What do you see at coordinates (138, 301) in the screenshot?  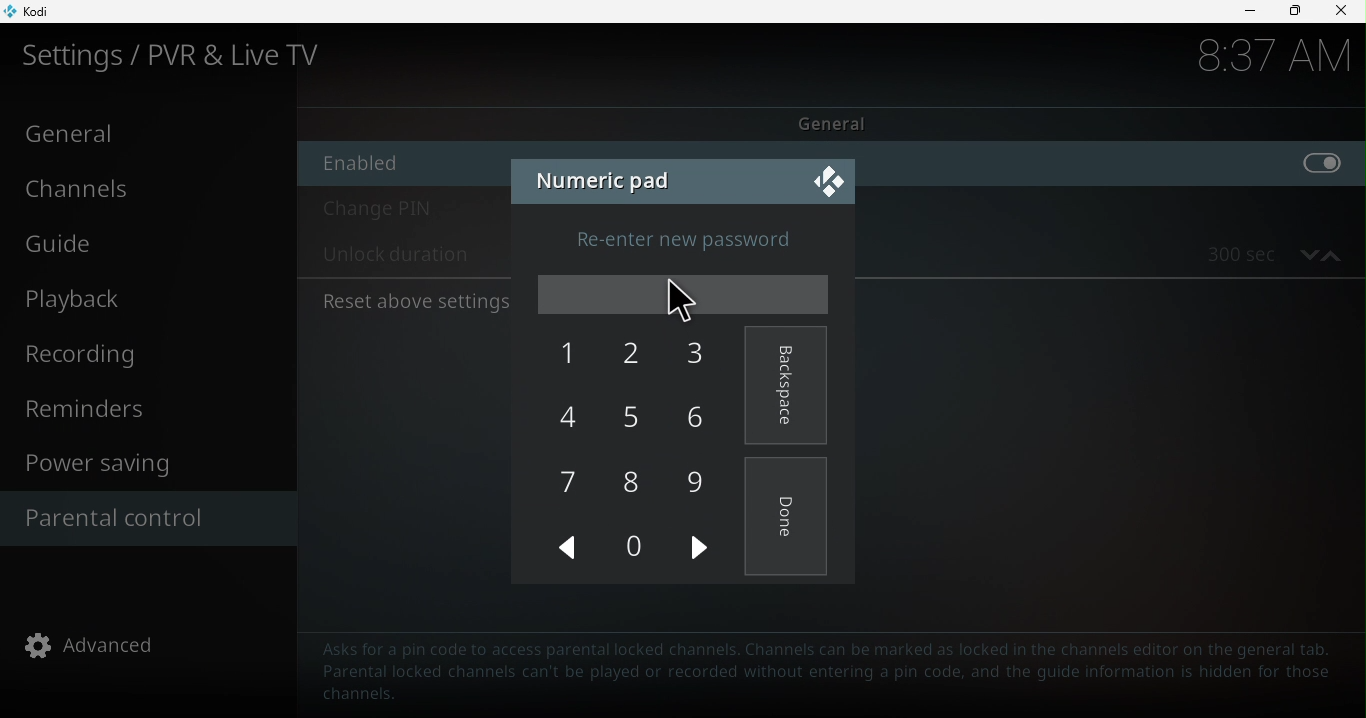 I see `Playback` at bounding box center [138, 301].